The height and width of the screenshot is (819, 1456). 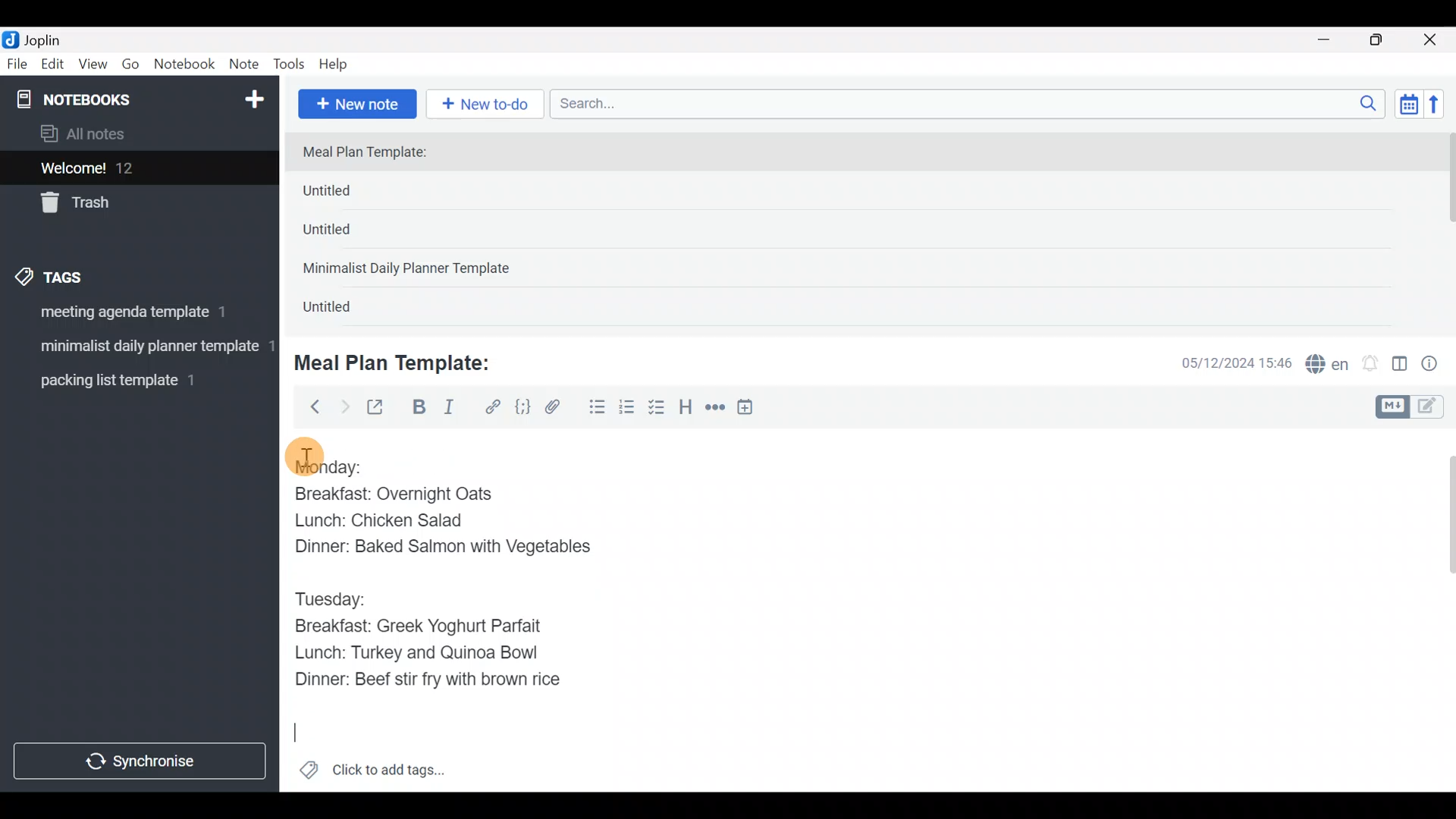 I want to click on Attach file, so click(x=557, y=409).